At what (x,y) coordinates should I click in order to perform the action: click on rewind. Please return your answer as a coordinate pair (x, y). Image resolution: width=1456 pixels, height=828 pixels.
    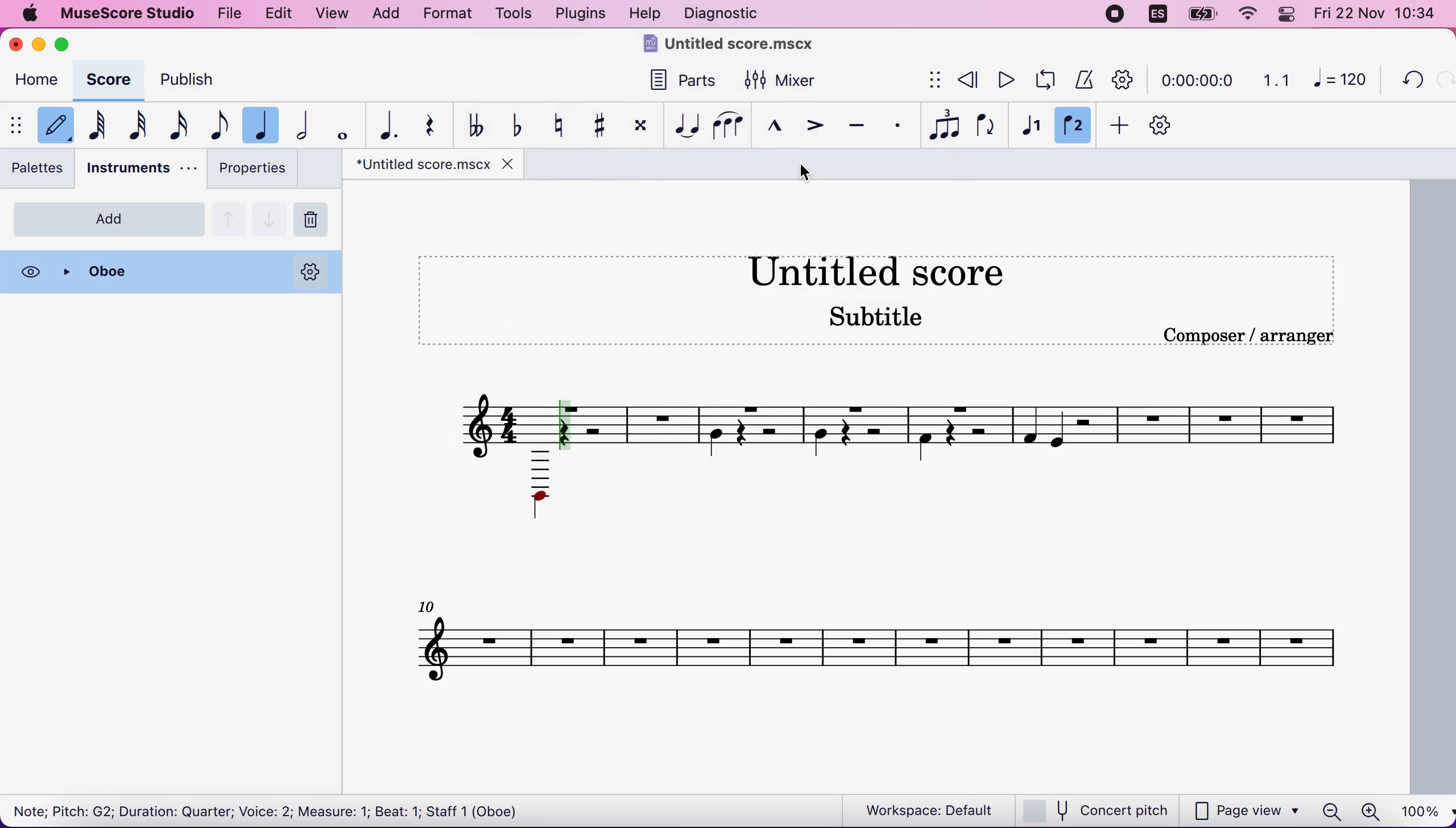
    Looking at the image, I should click on (966, 78).